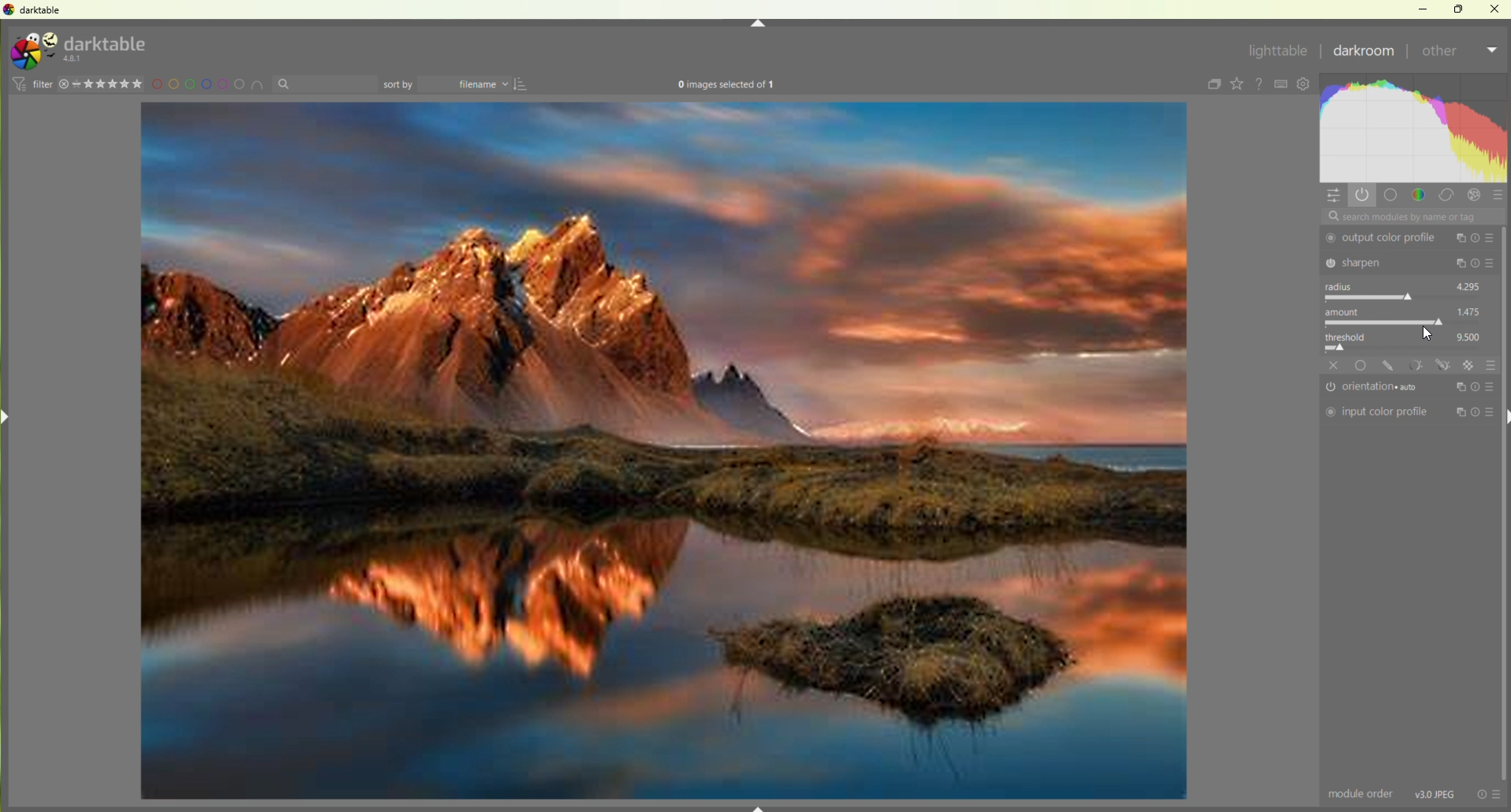 This screenshot has width=1511, height=812. What do you see at coordinates (1416, 128) in the screenshot?
I see `Color map` at bounding box center [1416, 128].